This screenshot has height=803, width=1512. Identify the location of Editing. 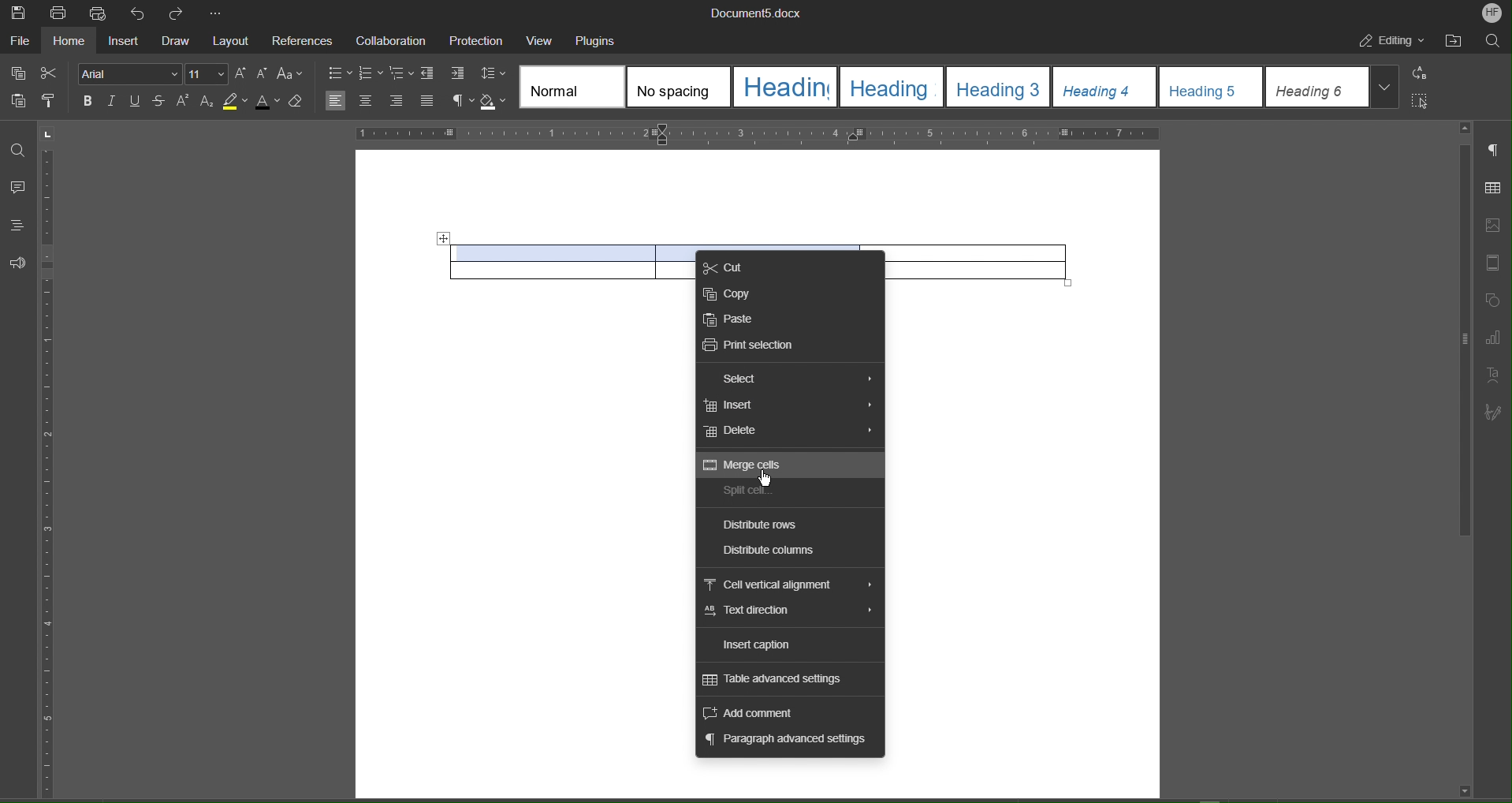
(1393, 43).